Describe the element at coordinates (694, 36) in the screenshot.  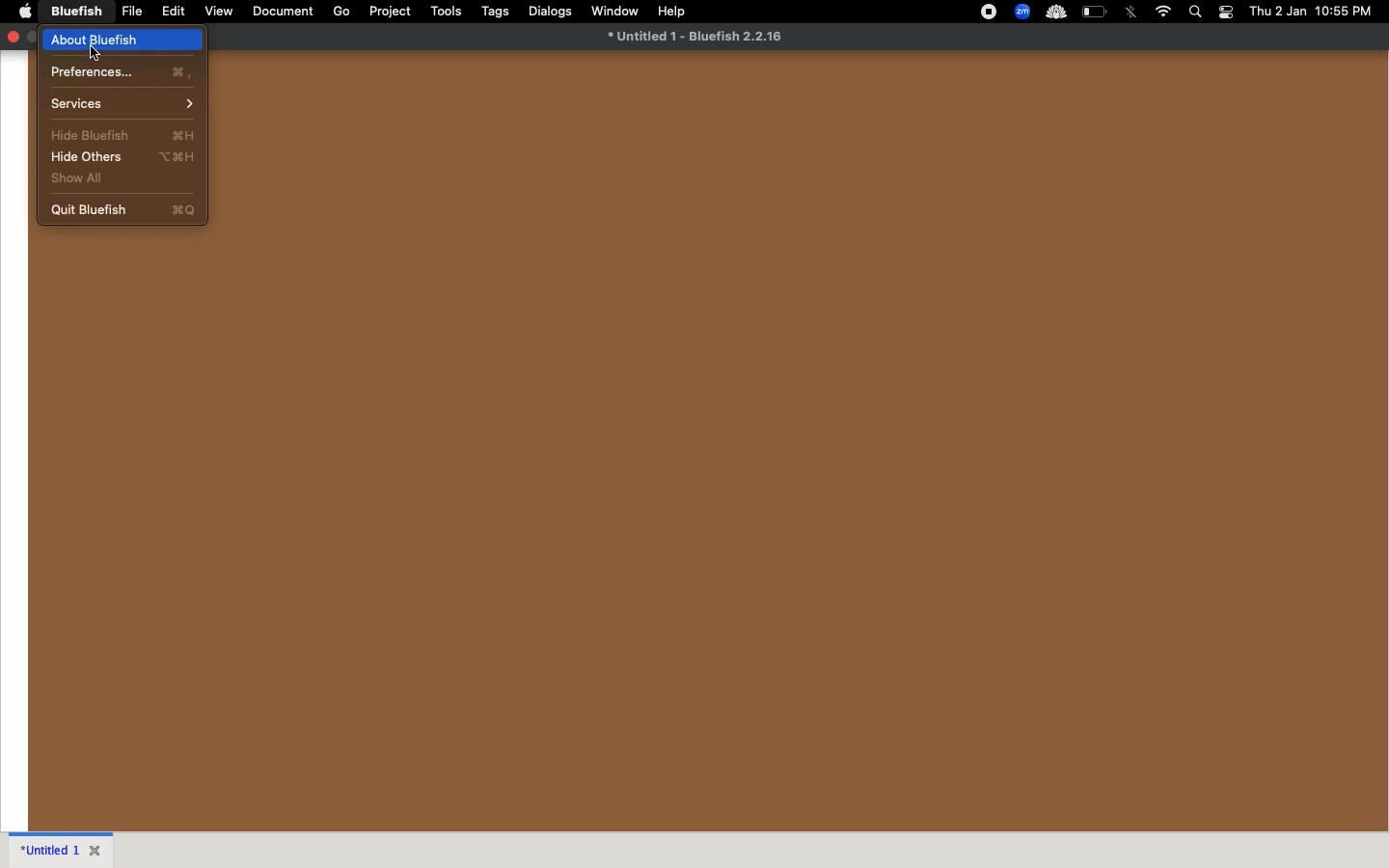
I see `untitled 1` at that location.